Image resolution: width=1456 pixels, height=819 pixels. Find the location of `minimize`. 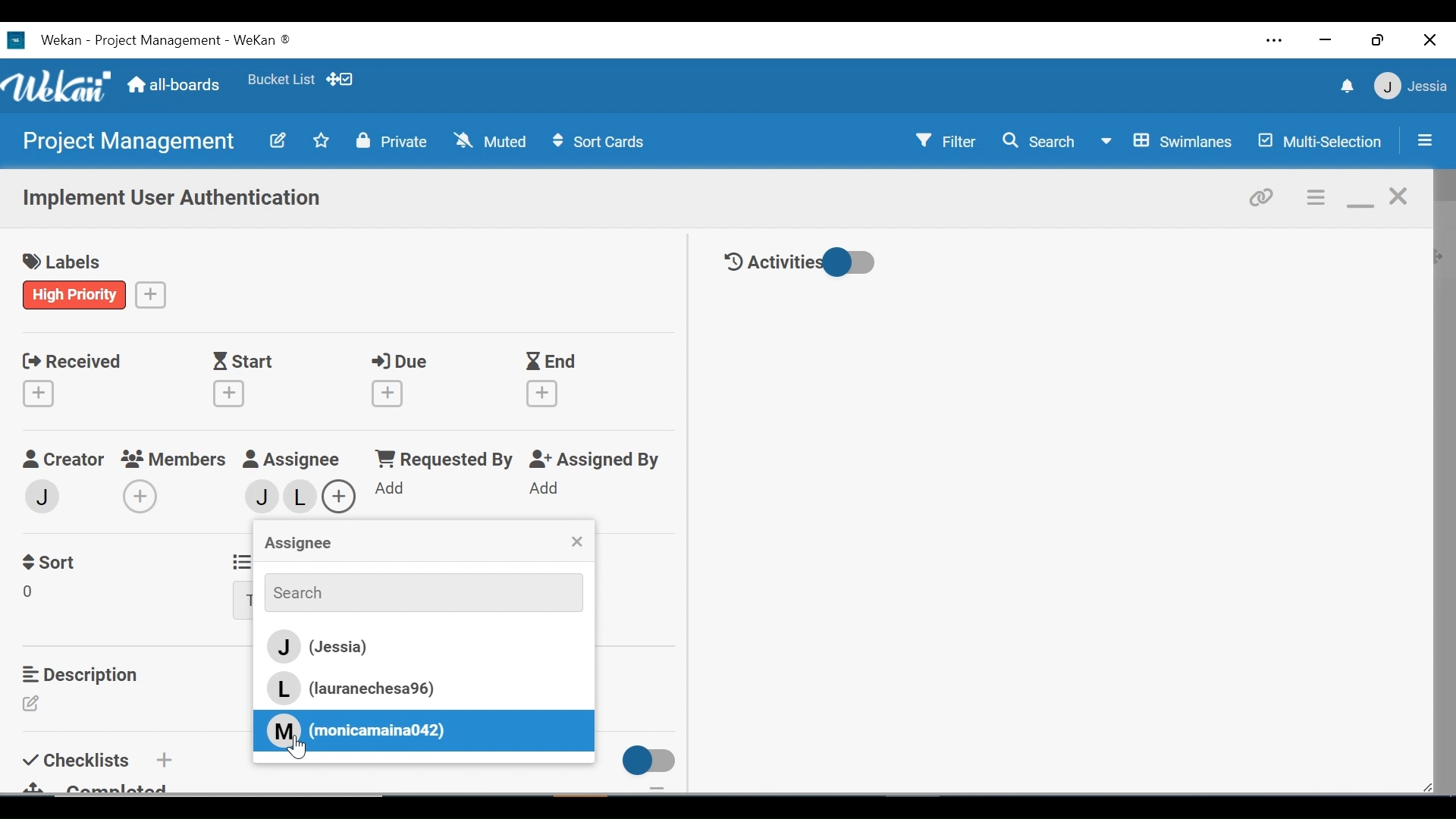

minimize is located at coordinates (1323, 41).